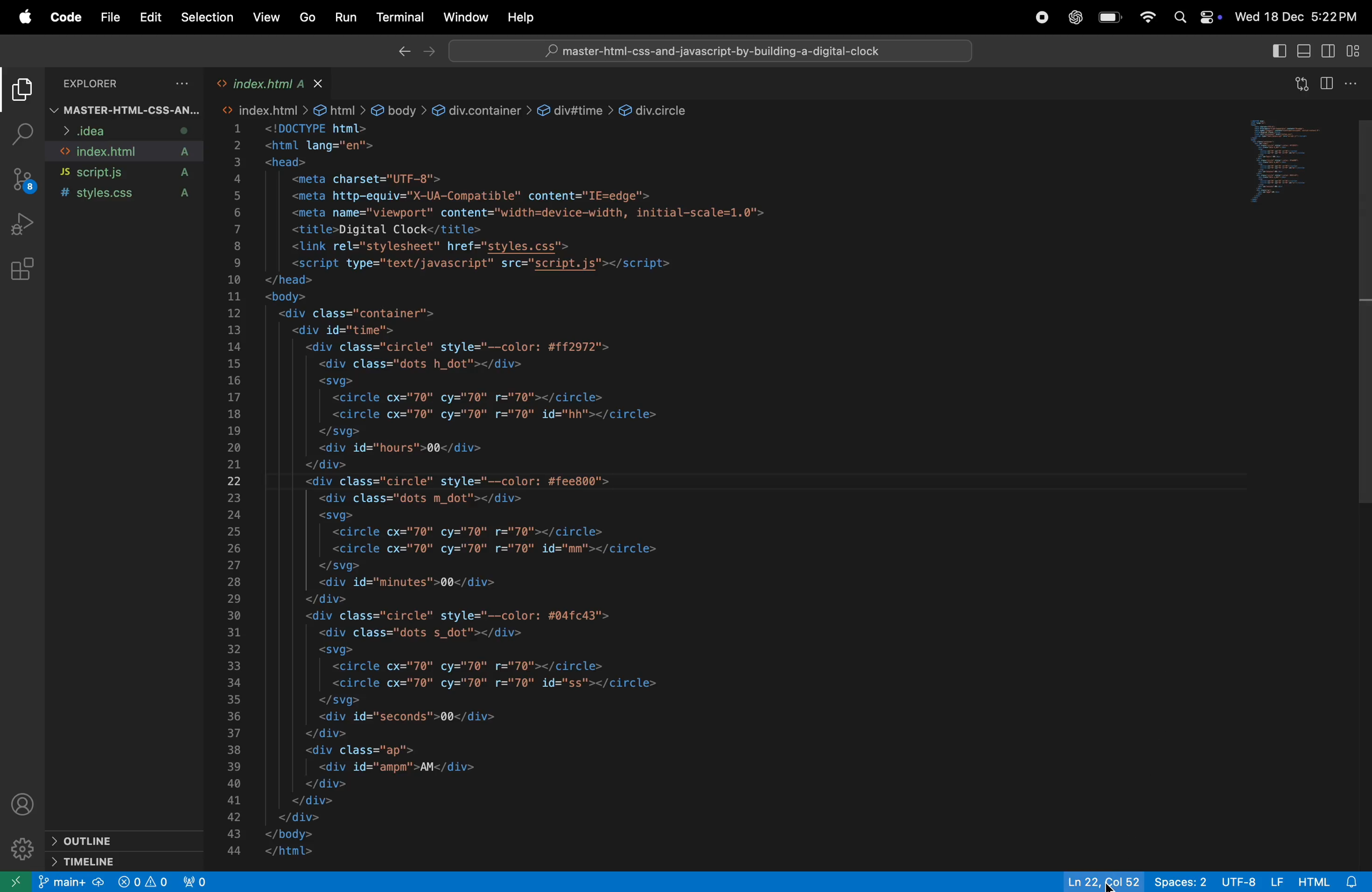 The image size is (1372, 892). What do you see at coordinates (483, 108) in the screenshot?
I see `link` at bounding box center [483, 108].